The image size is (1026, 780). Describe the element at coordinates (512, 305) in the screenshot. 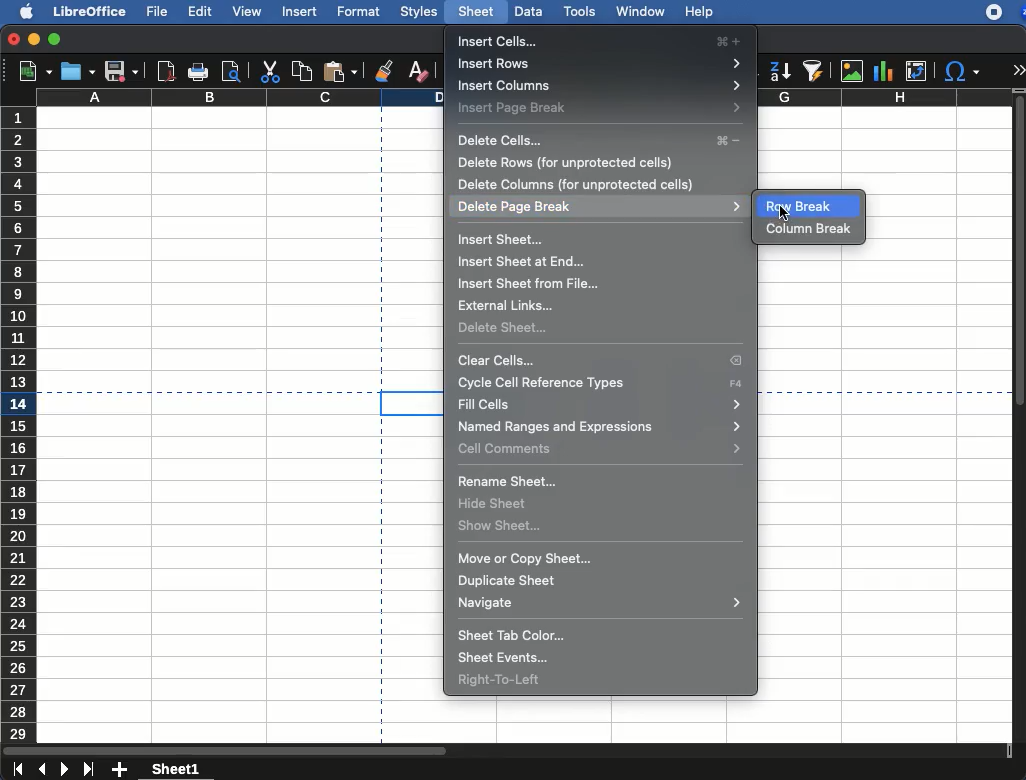

I see `external links` at that location.